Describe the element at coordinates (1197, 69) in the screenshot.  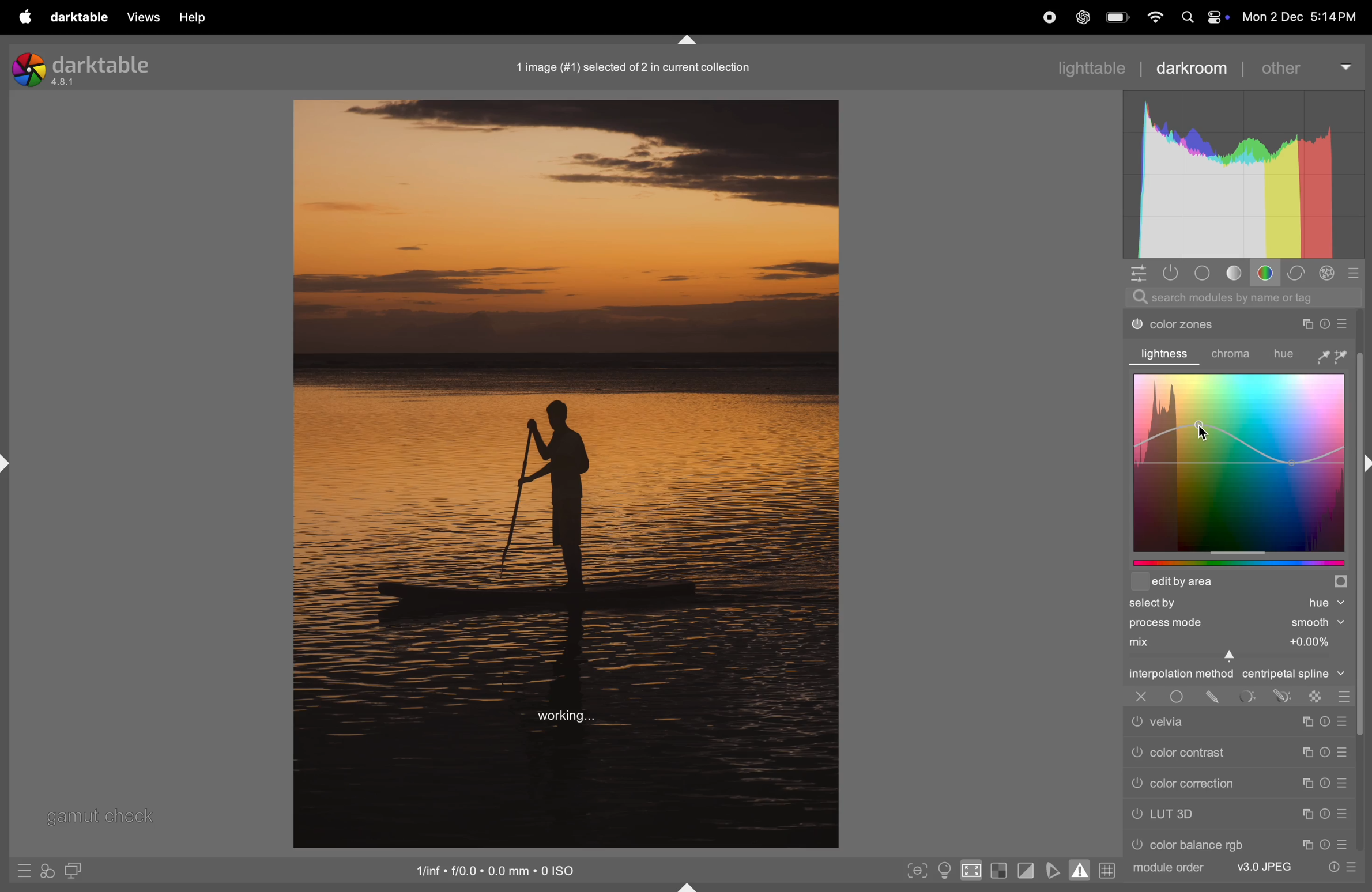
I see `darkroom` at that location.